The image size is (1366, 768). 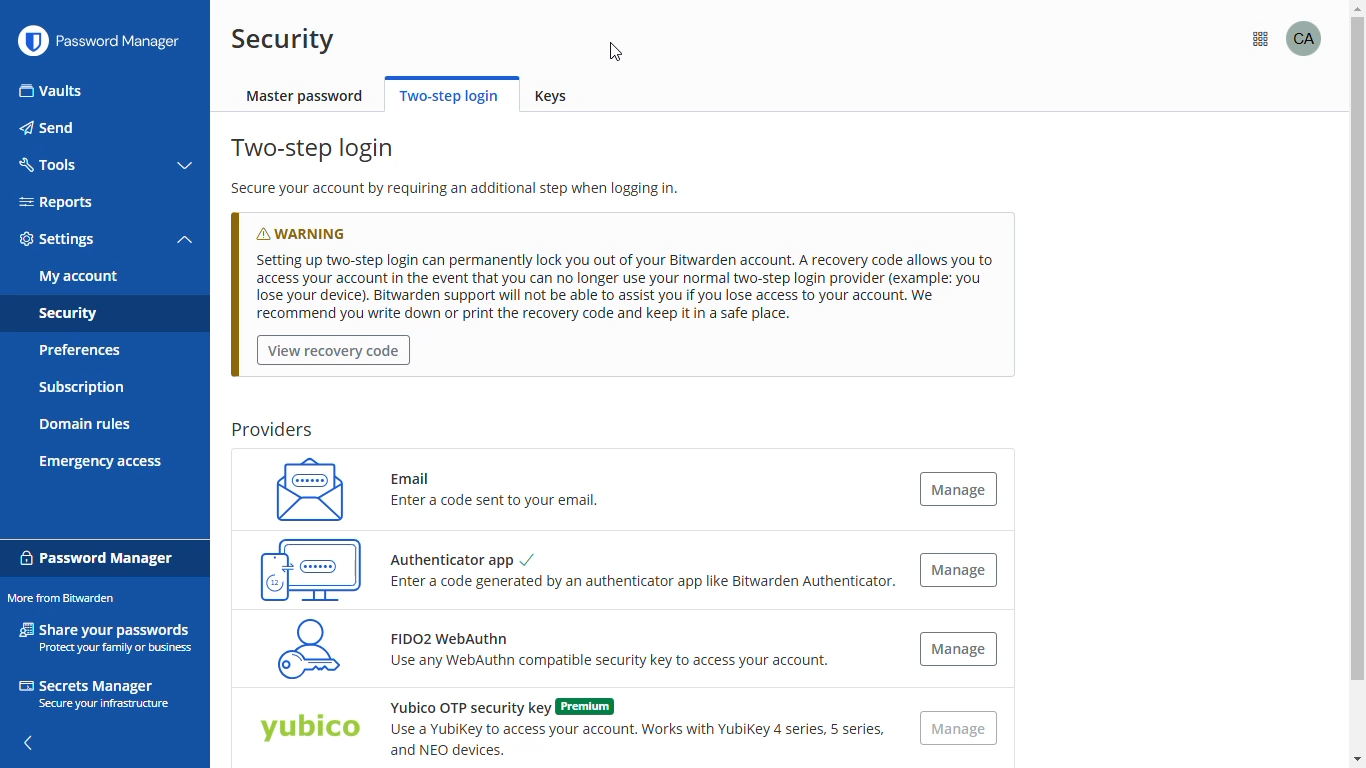 I want to click on secure your account by requiring an additional step when logging in, so click(x=457, y=191).